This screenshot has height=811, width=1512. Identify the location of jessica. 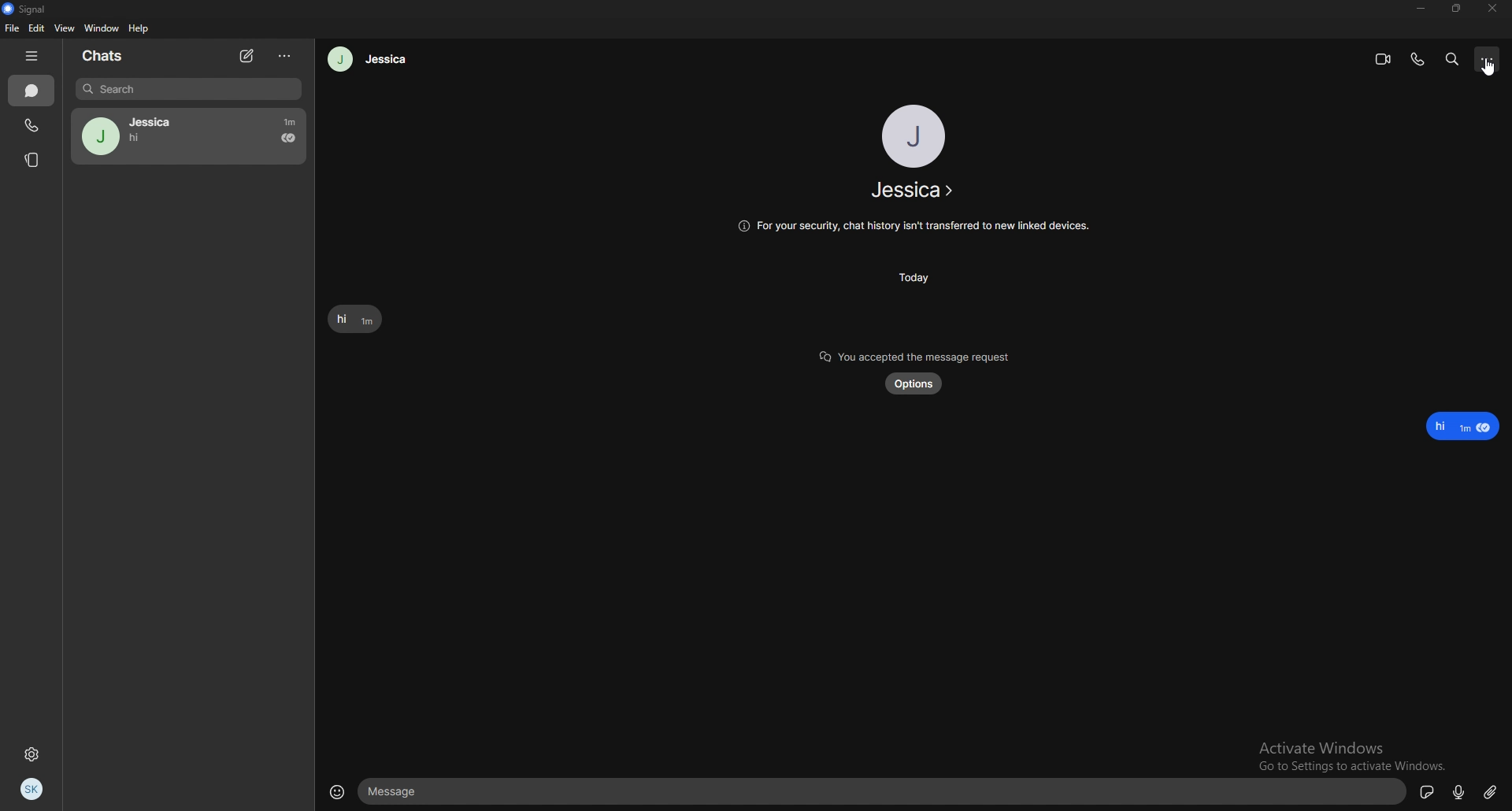
(369, 59).